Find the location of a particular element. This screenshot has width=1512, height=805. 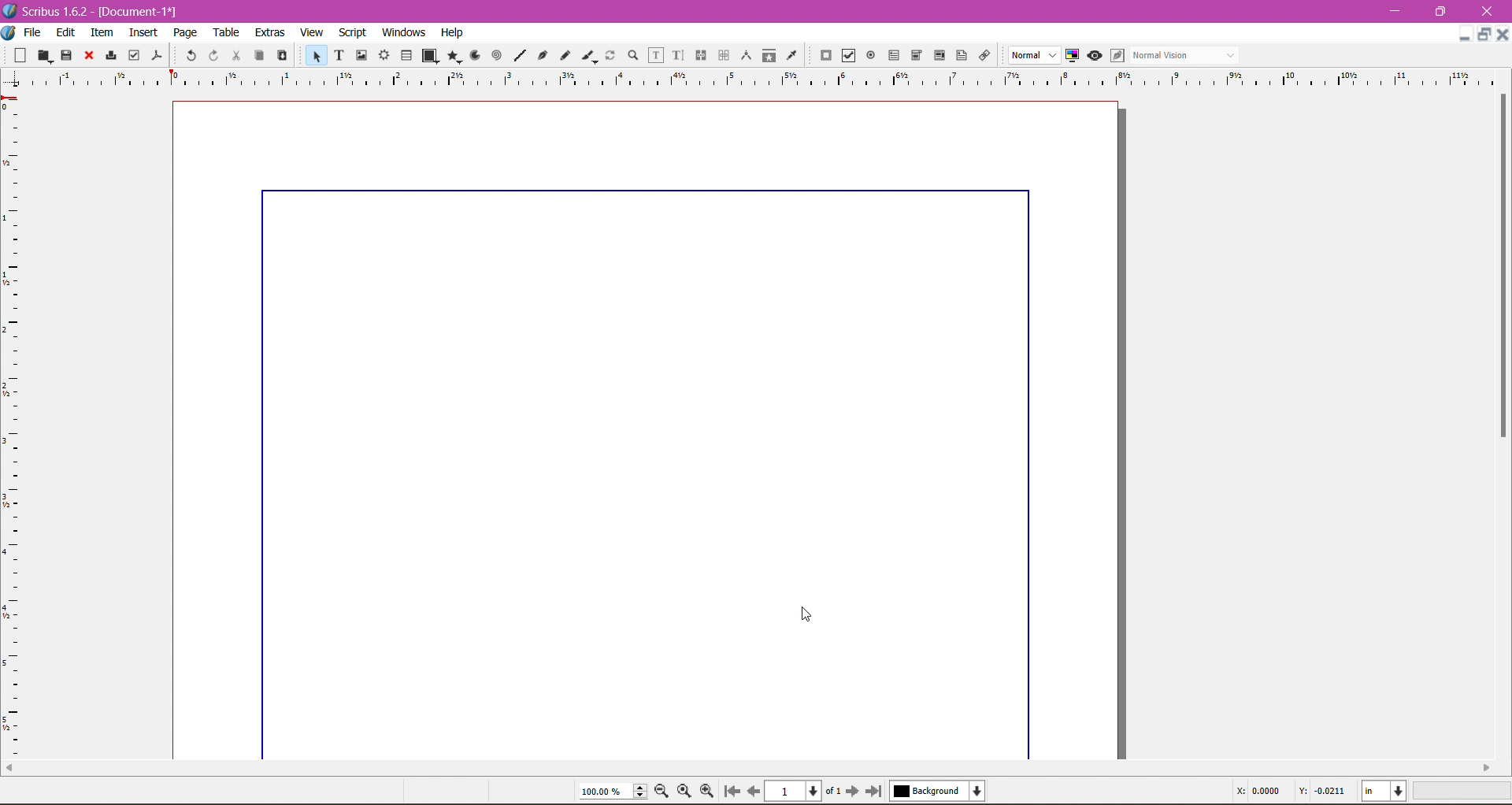

Select the visual appearance of the display is located at coordinates (1188, 56).